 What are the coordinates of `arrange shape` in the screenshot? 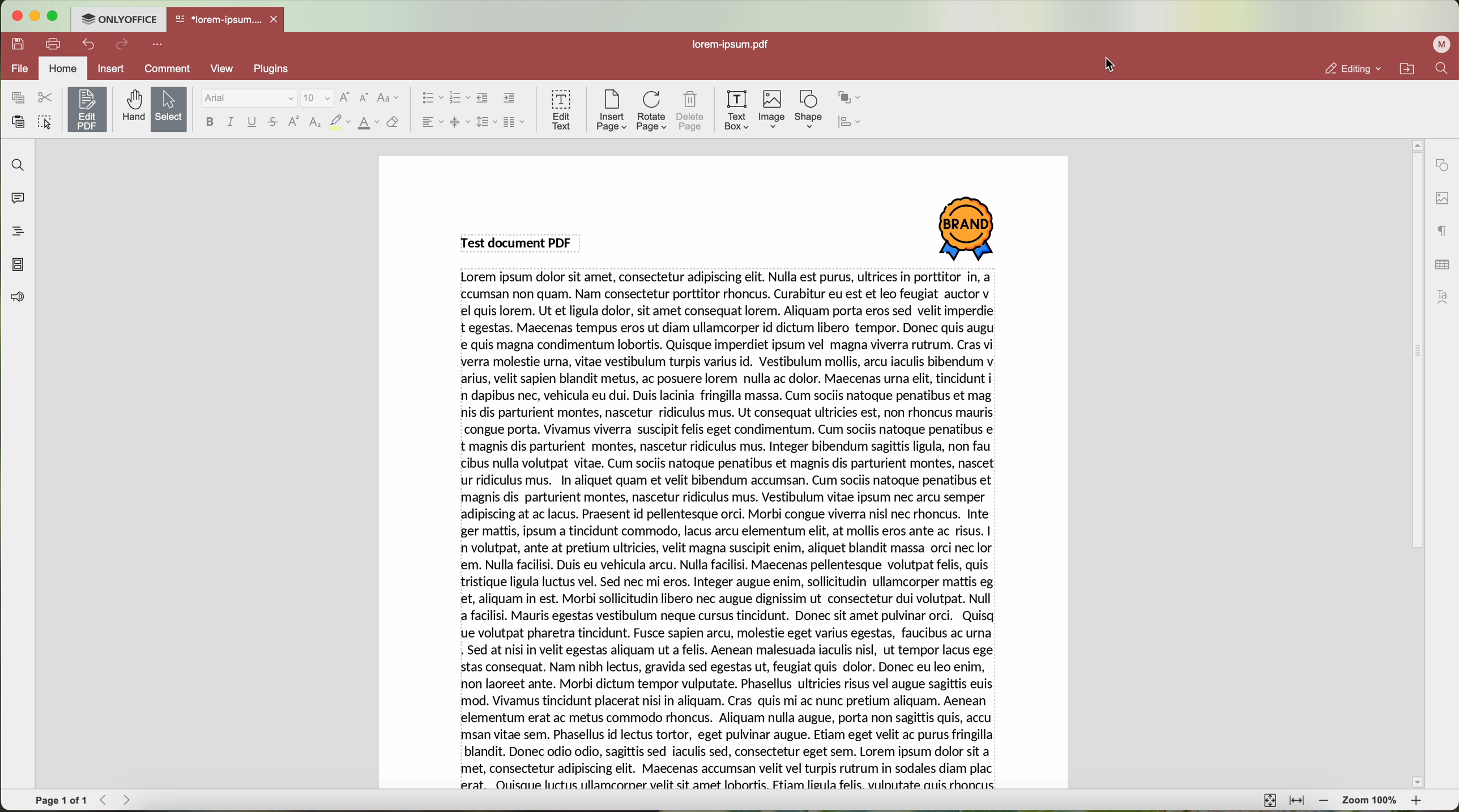 It's located at (850, 98).